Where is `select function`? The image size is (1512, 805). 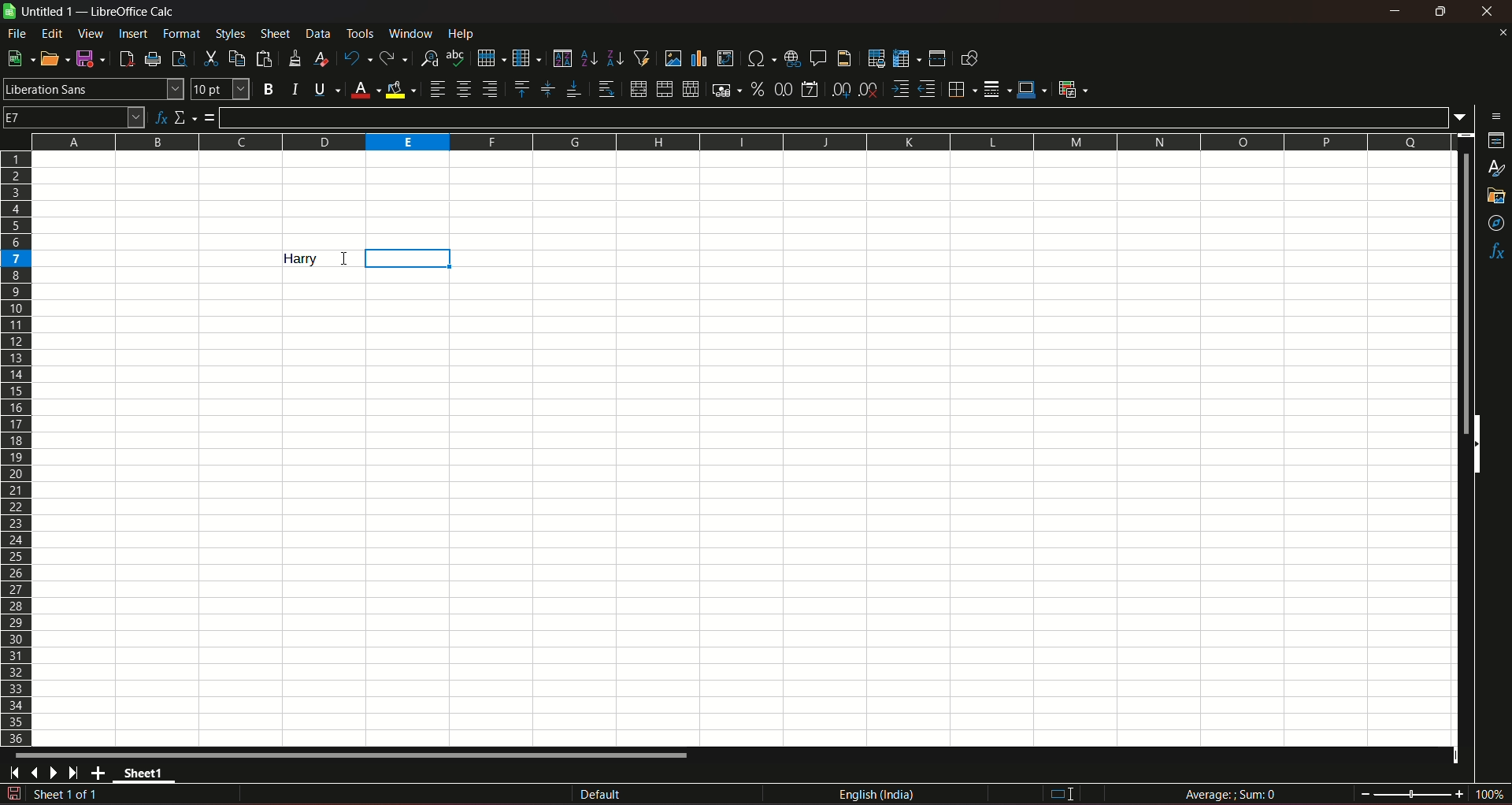
select function is located at coordinates (186, 117).